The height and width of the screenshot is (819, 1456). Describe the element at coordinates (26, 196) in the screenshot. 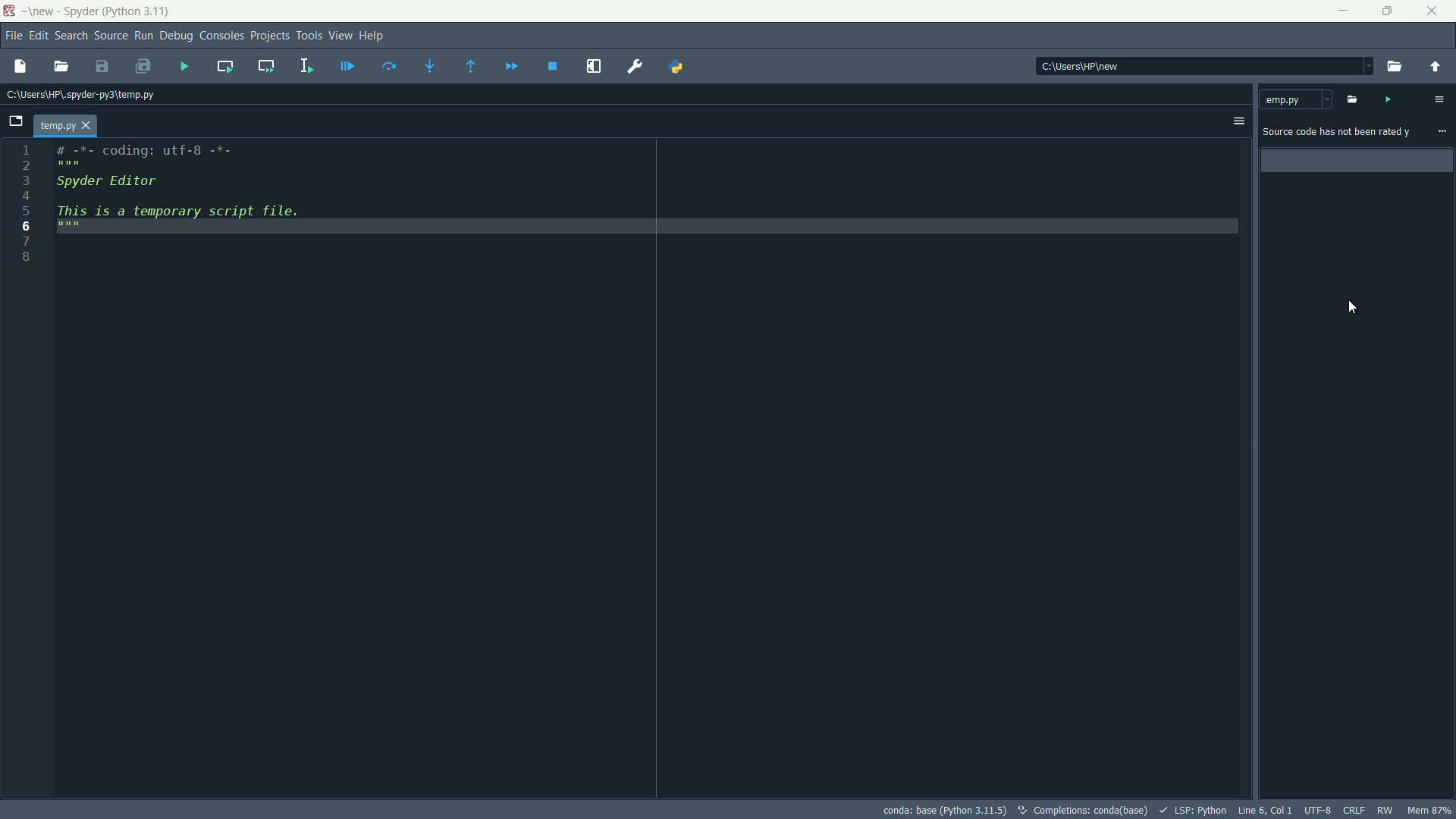

I see `4` at that location.